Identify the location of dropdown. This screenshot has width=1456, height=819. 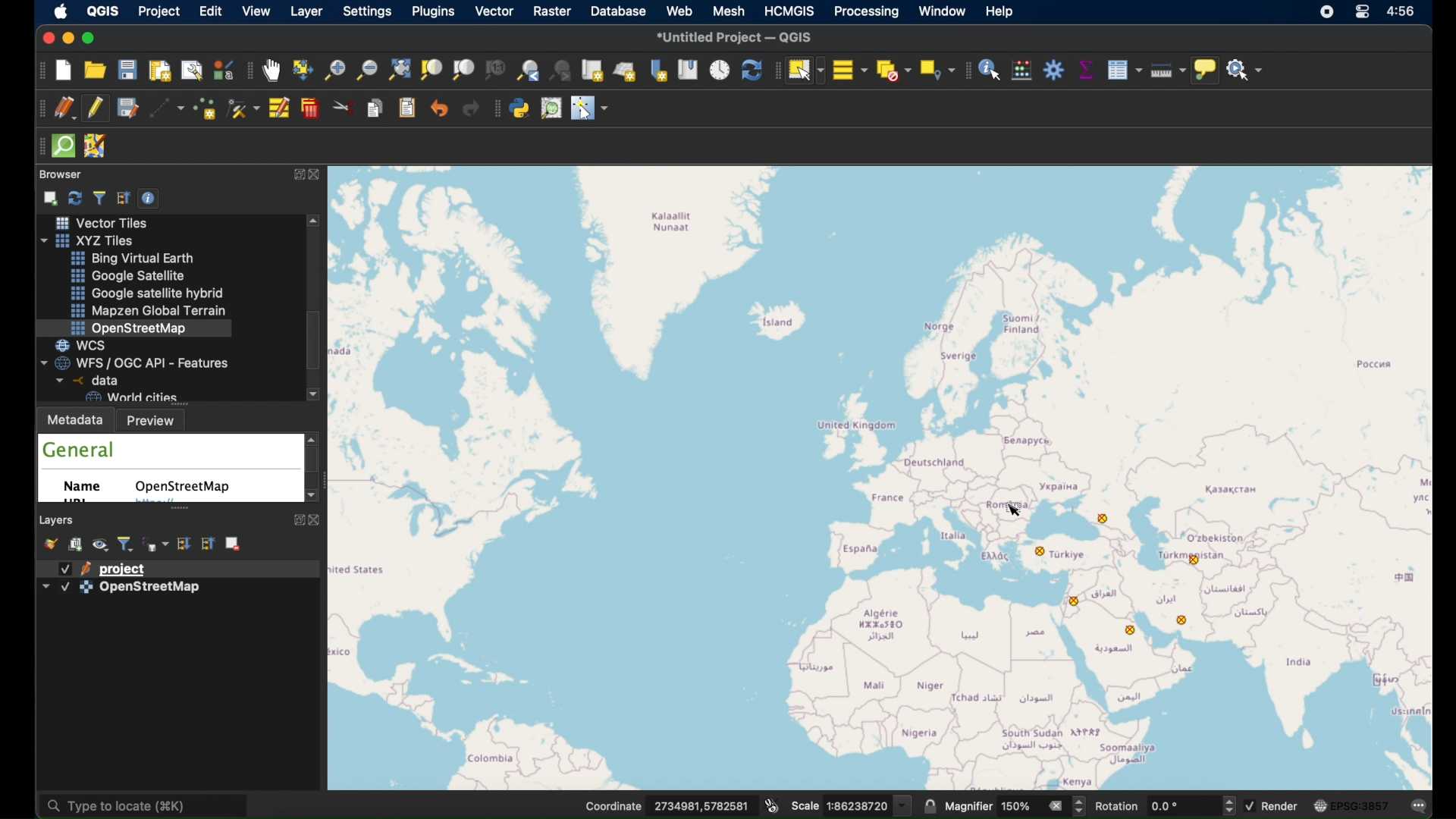
(45, 585).